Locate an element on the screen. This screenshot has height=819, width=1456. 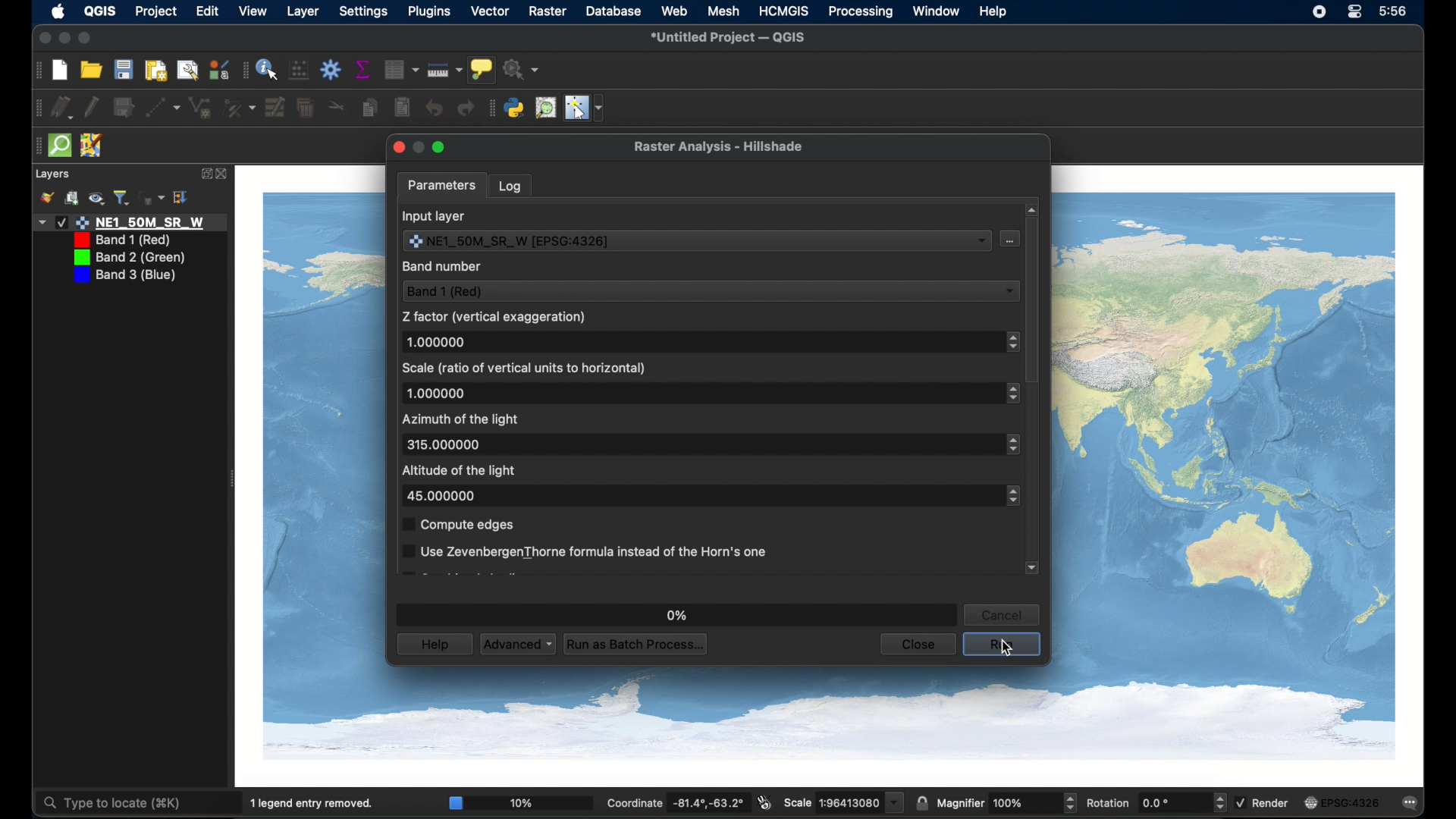
modify attributes is located at coordinates (275, 108).